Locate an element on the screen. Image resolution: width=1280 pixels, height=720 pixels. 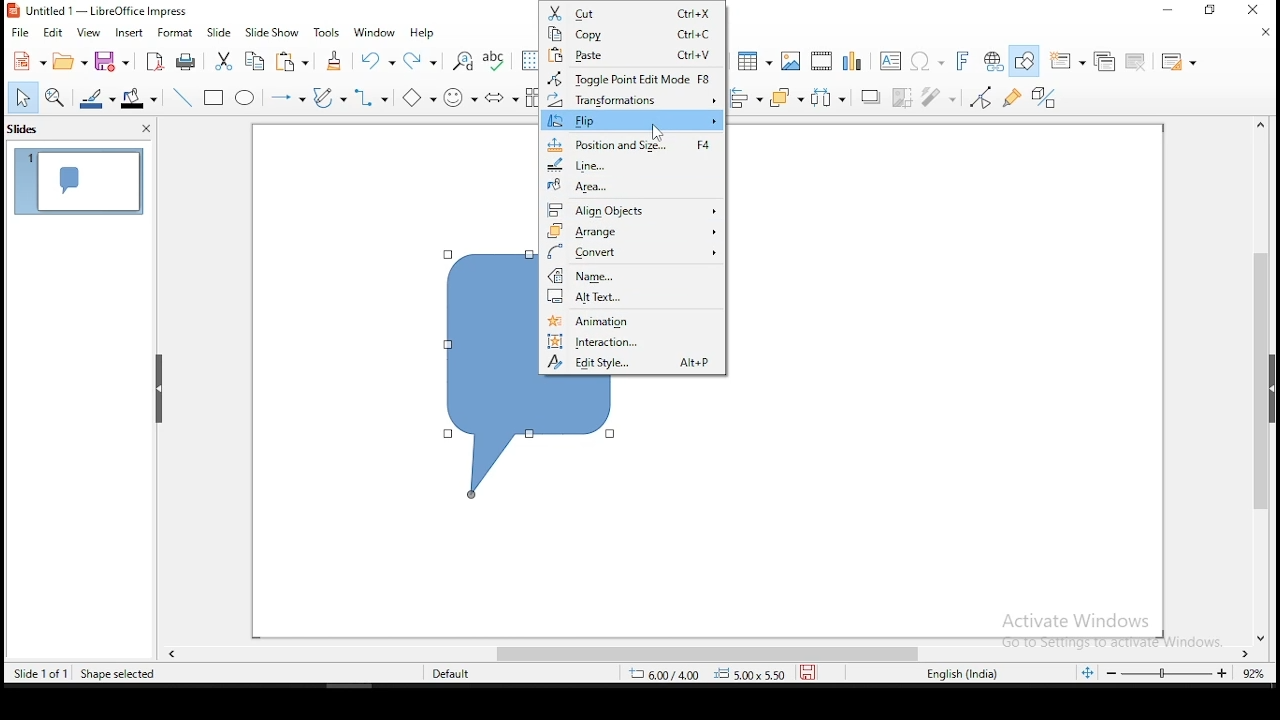
tools is located at coordinates (327, 32).